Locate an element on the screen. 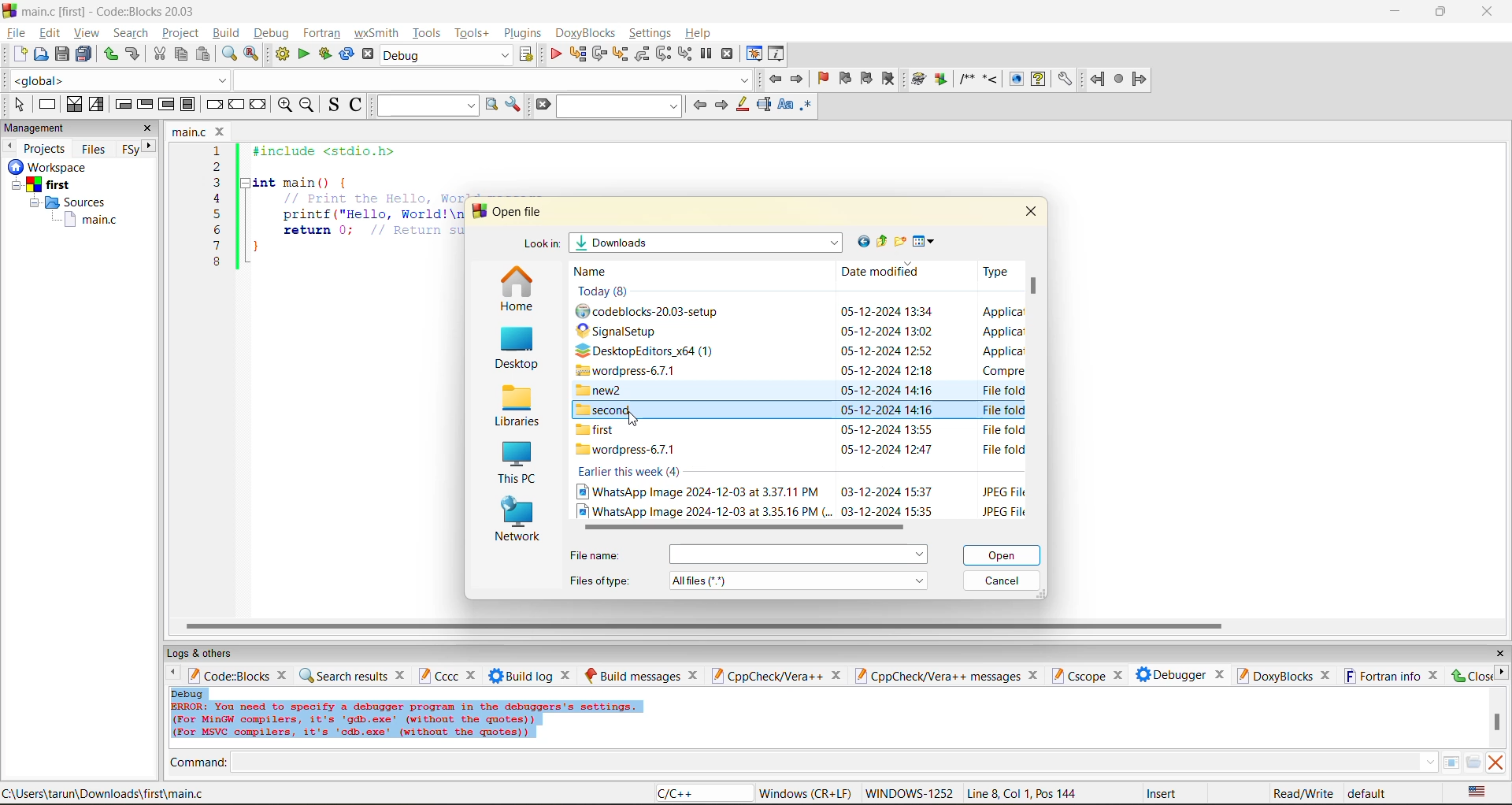  date and time is located at coordinates (886, 491).